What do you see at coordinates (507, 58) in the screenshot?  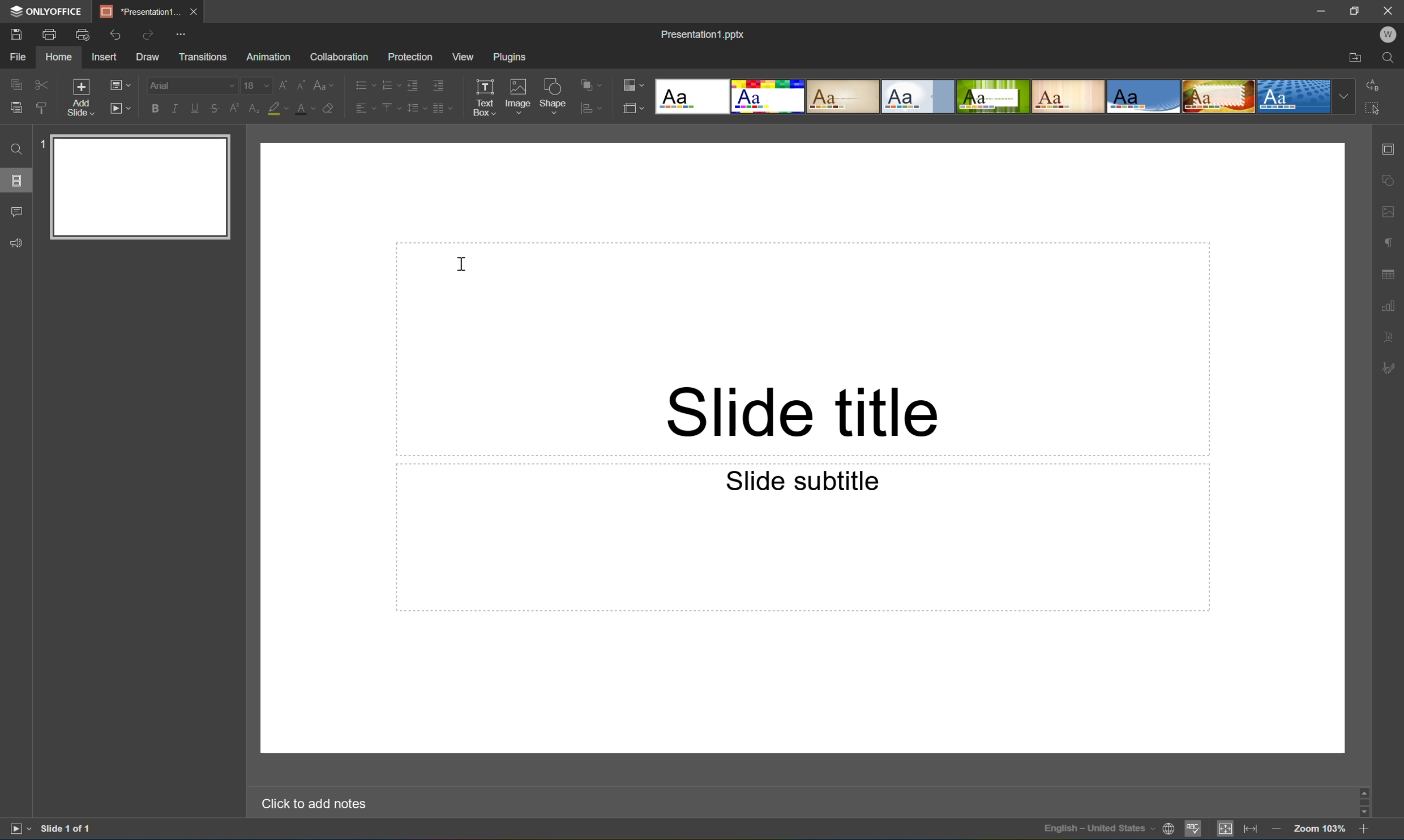 I see `Plugins` at bounding box center [507, 58].